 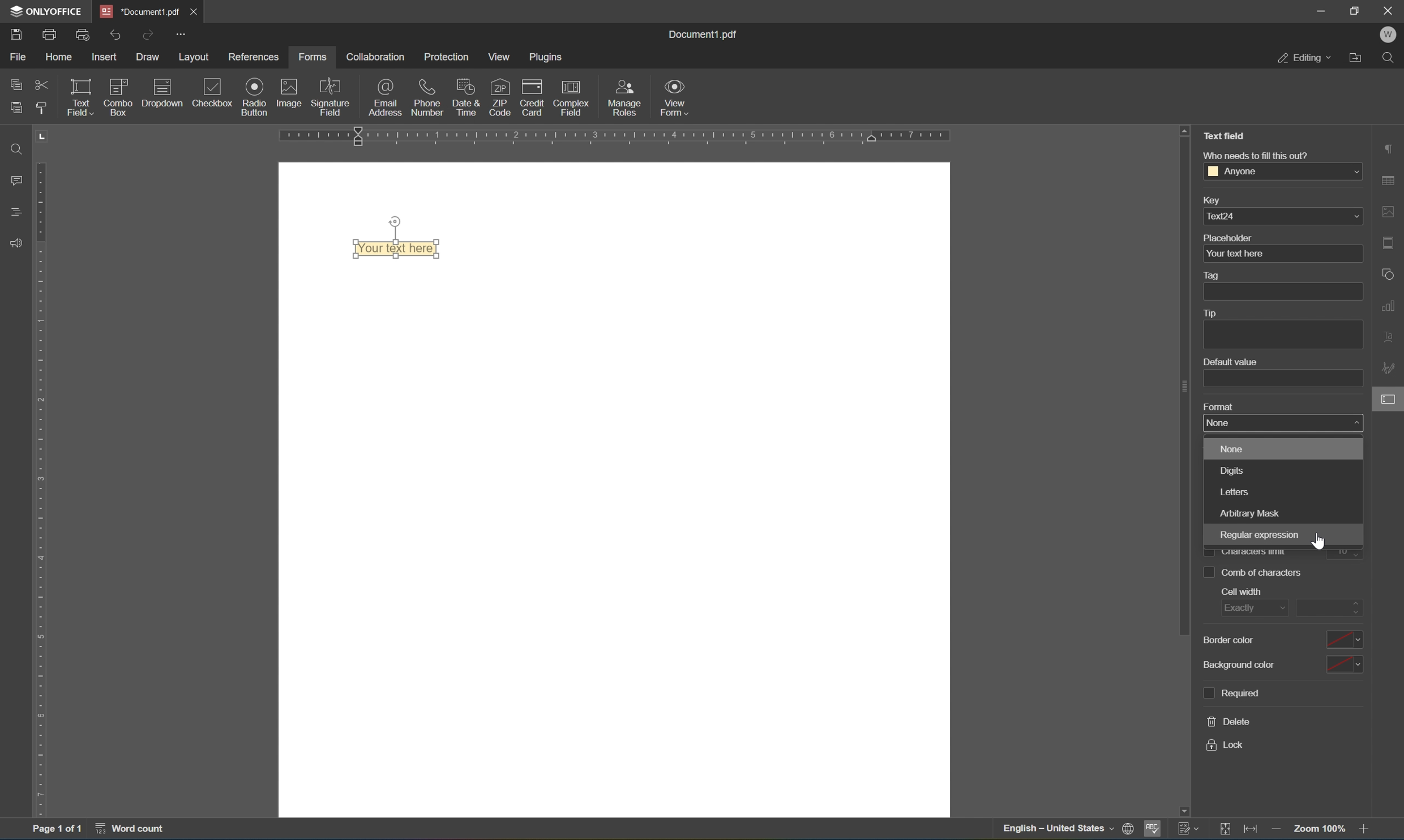 What do you see at coordinates (1153, 832) in the screenshot?
I see `spell checking` at bounding box center [1153, 832].